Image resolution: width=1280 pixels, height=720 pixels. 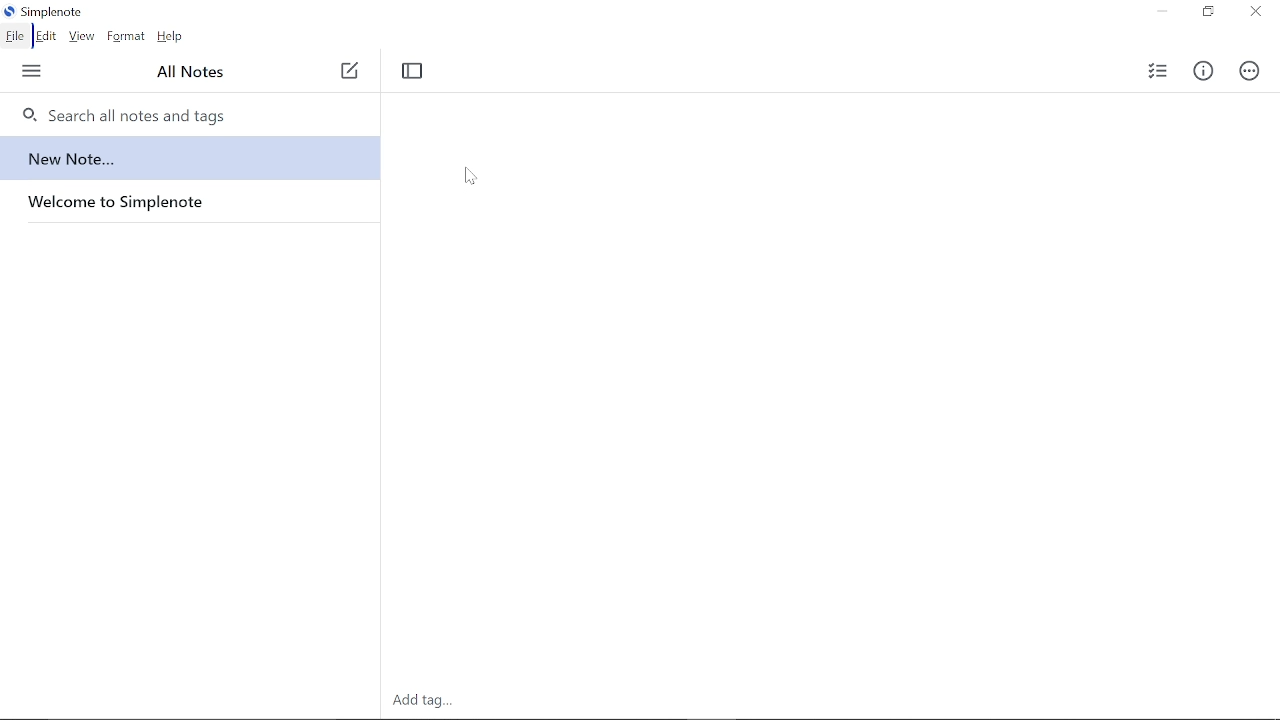 What do you see at coordinates (1206, 14) in the screenshot?
I see `Restore down` at bounding box center [1206, 14].